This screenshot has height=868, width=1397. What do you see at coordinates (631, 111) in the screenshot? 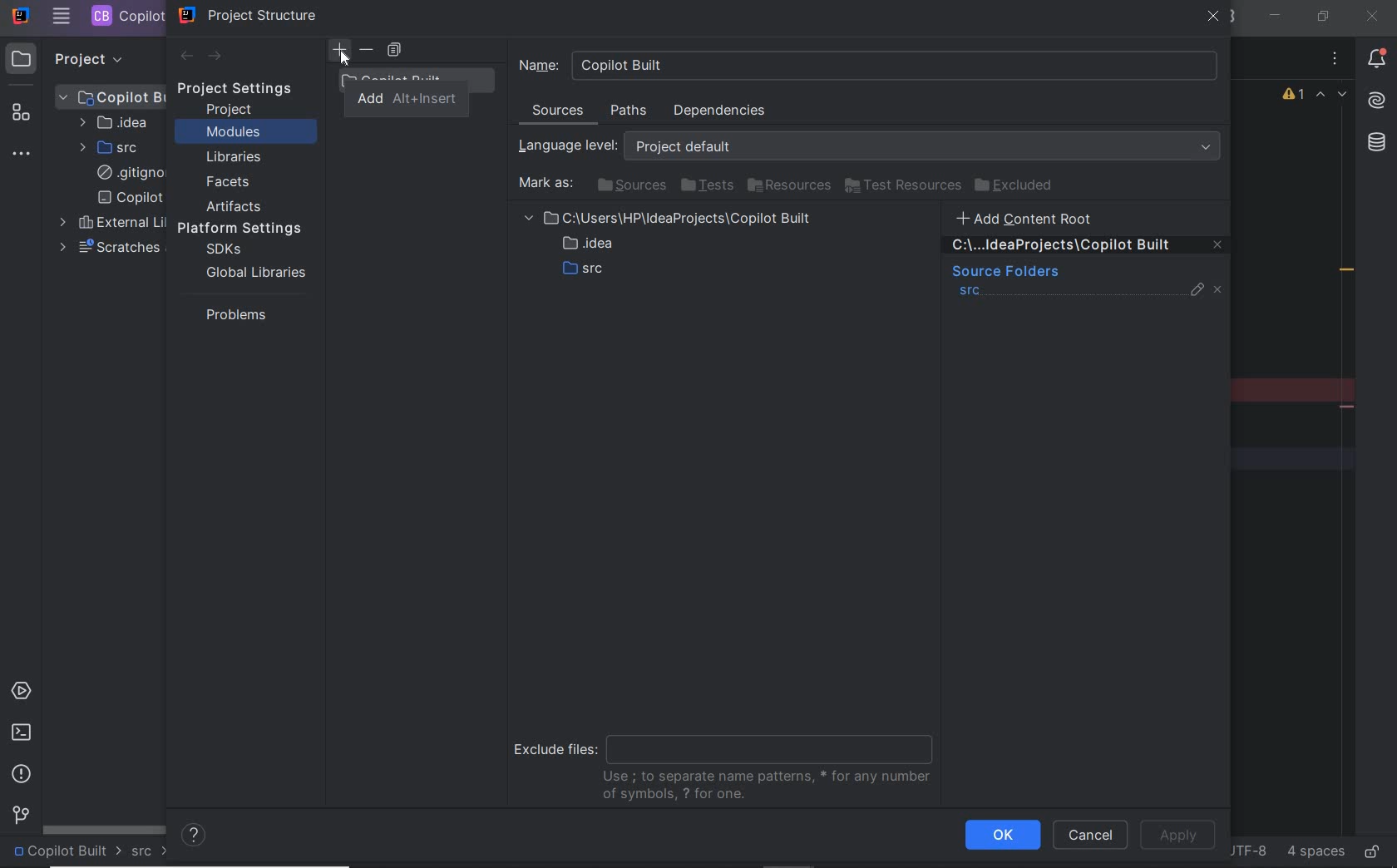
I see `paths` at bounding box center [631, 111].